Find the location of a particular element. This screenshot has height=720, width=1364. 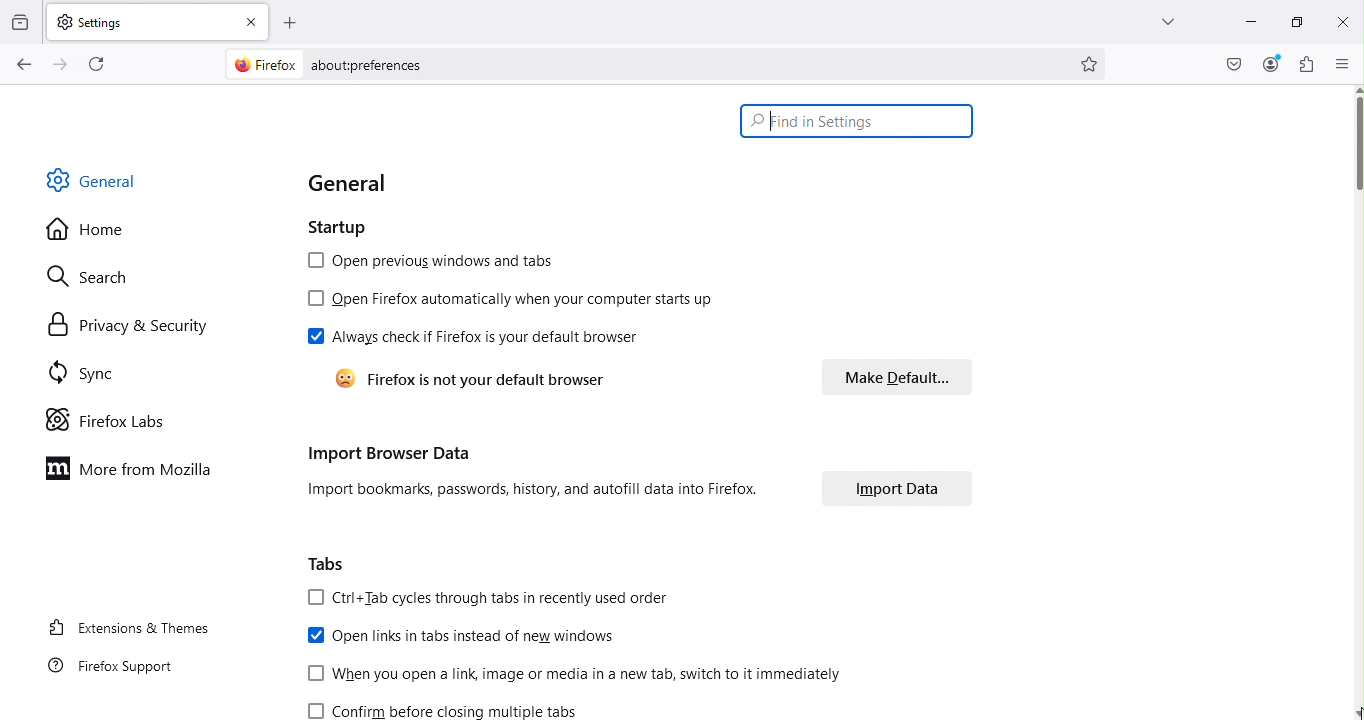

Reload current page is located at coordinates (99, 62).